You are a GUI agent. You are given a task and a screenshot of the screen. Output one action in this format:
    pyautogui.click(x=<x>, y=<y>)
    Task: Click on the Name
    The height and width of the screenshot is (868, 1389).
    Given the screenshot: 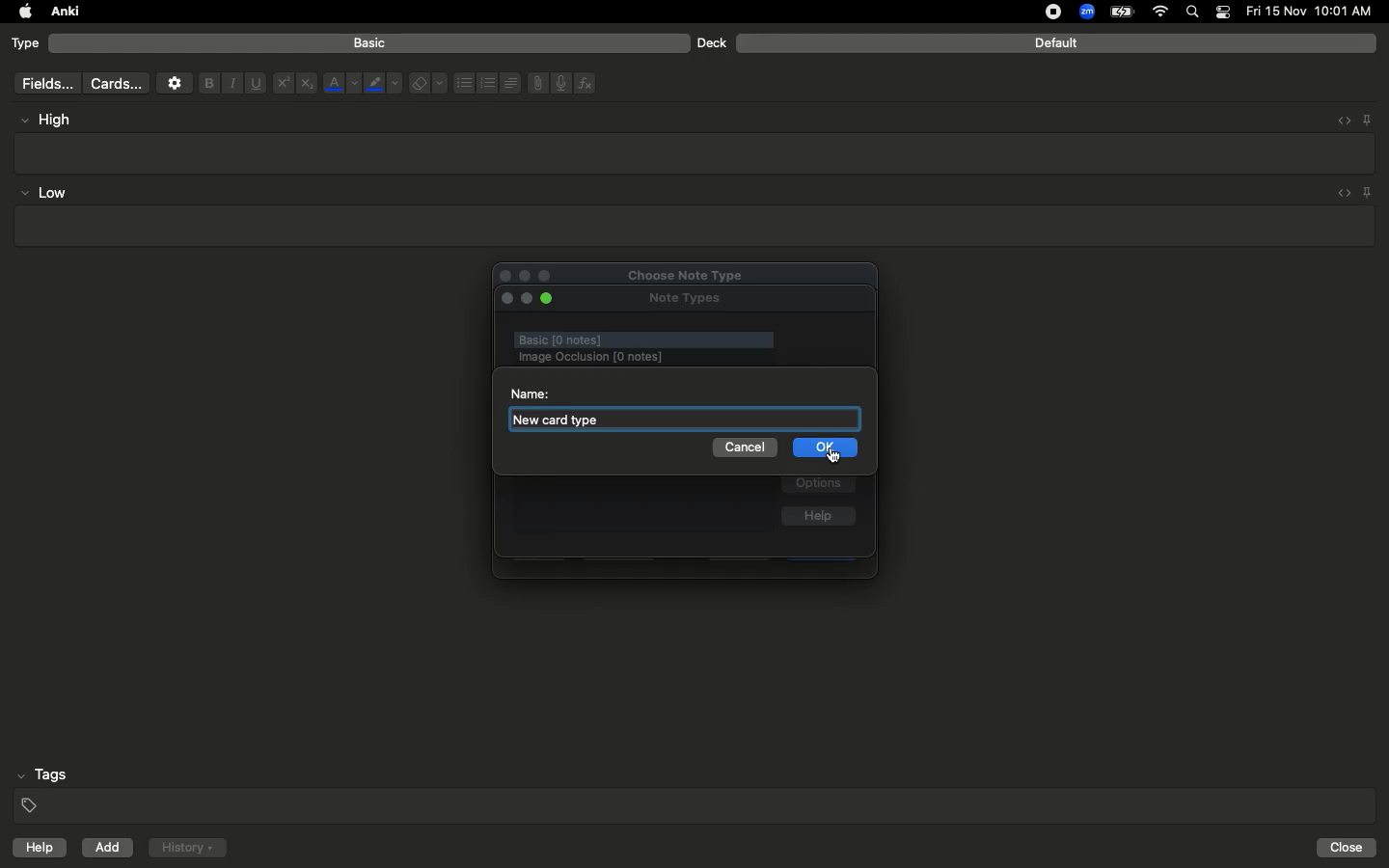 What is the action you would take?
    pyautogui.click(x=529, y=393)
    